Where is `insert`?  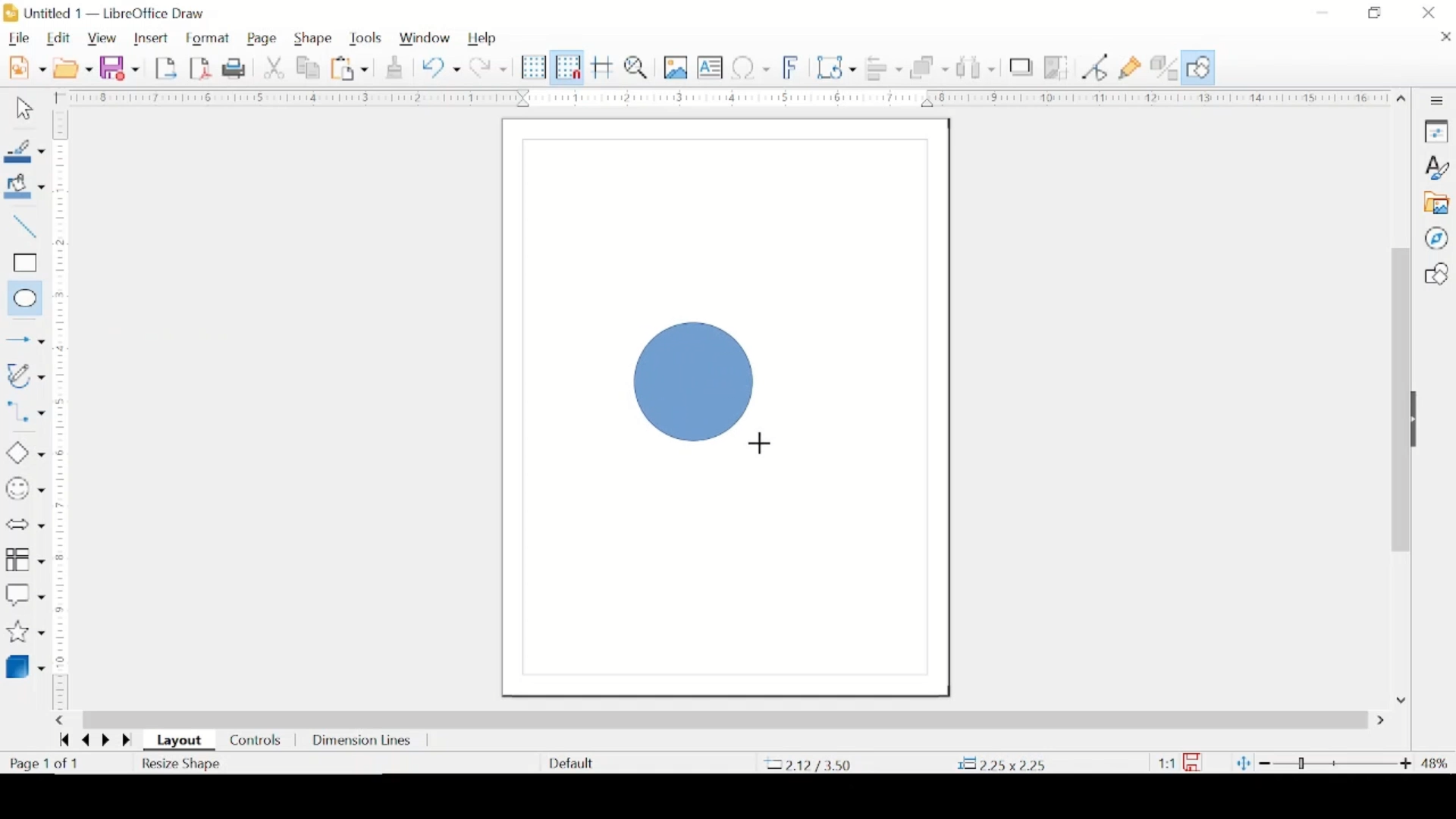
insert is located at coordinates (154, 38).